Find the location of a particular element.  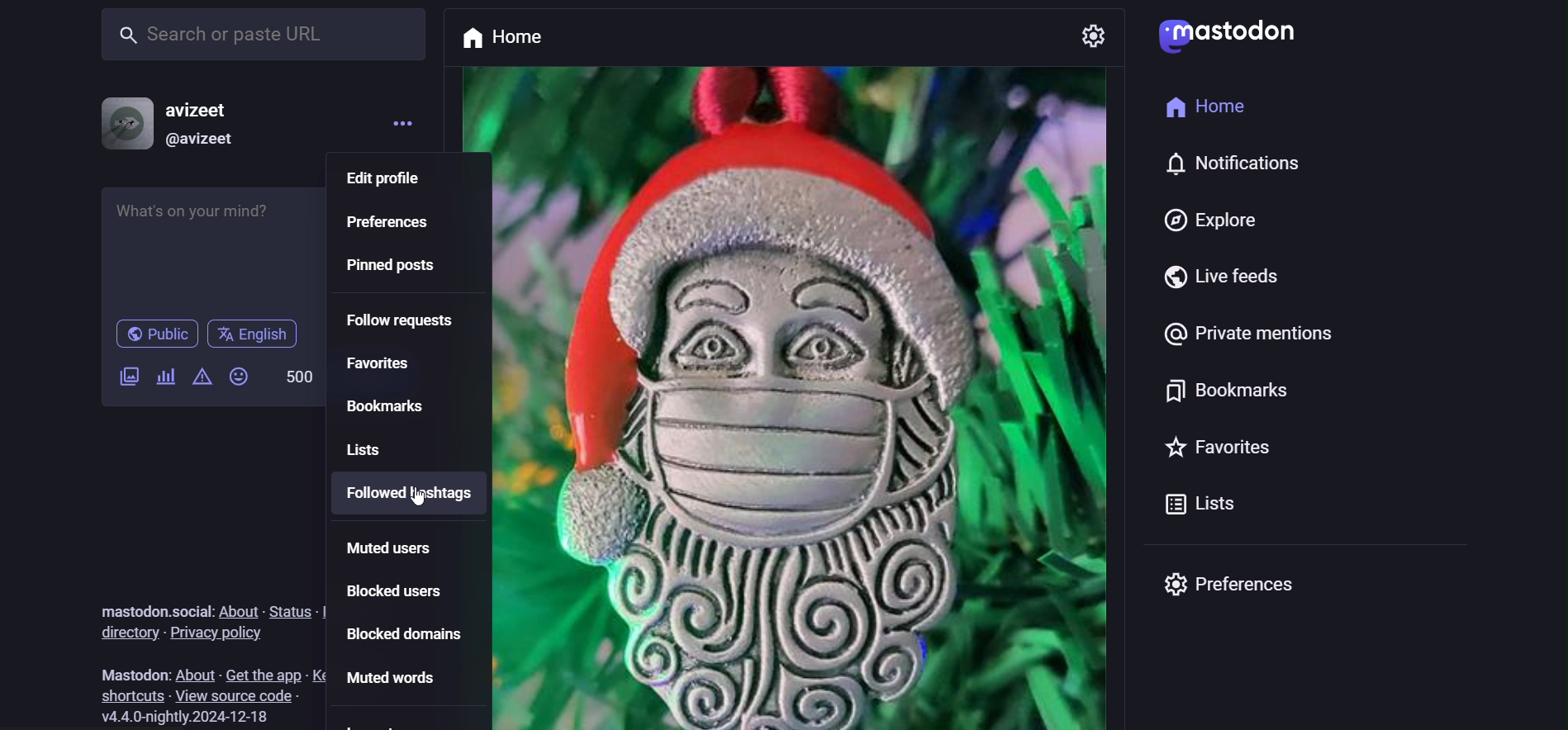

home is located at coordinates (1204, 108).